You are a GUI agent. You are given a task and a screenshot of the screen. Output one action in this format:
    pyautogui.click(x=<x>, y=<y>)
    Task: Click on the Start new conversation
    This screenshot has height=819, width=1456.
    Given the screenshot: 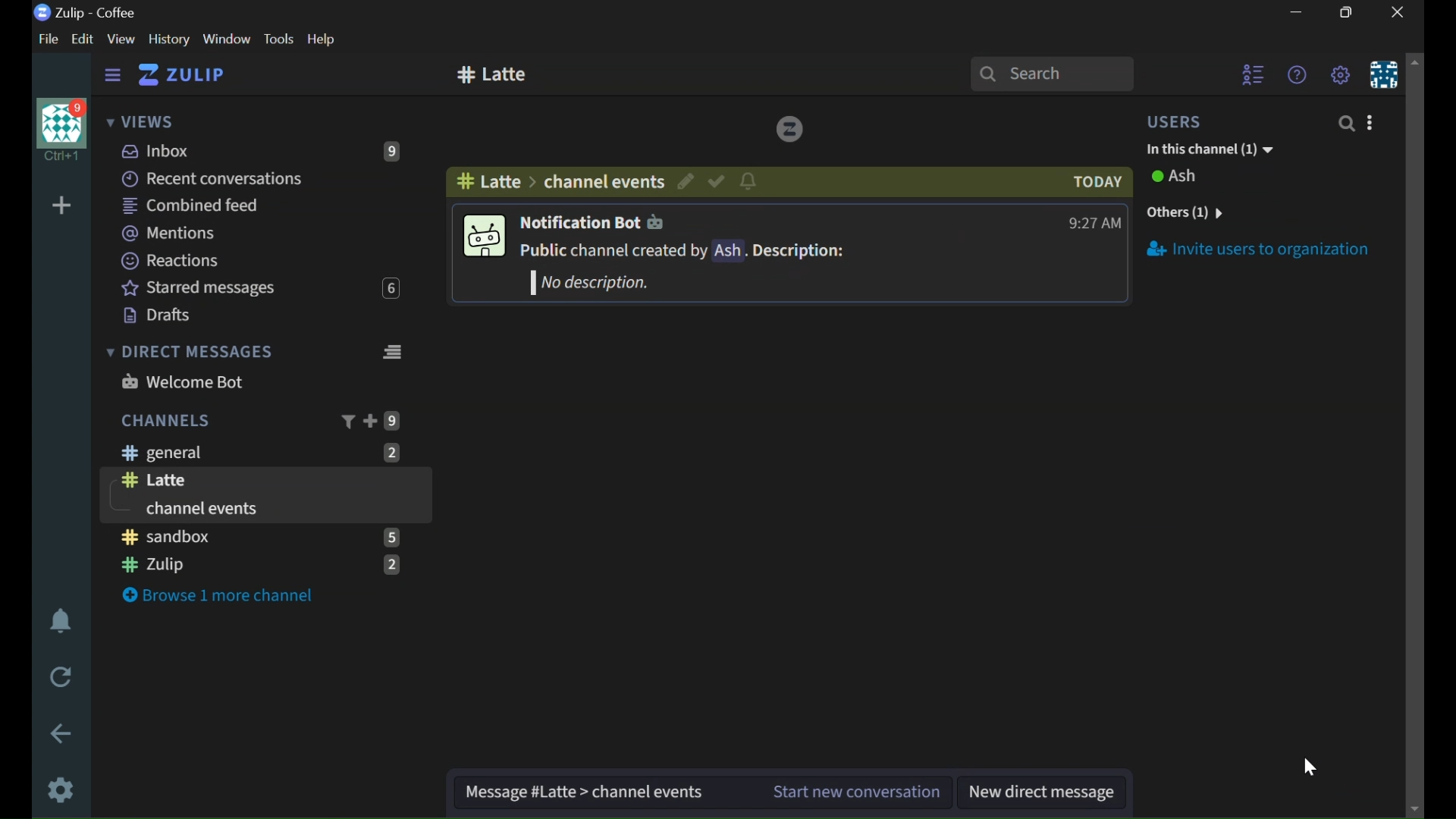 What is the action you would take?
    pyautogui.click(x=855, y=792)
    